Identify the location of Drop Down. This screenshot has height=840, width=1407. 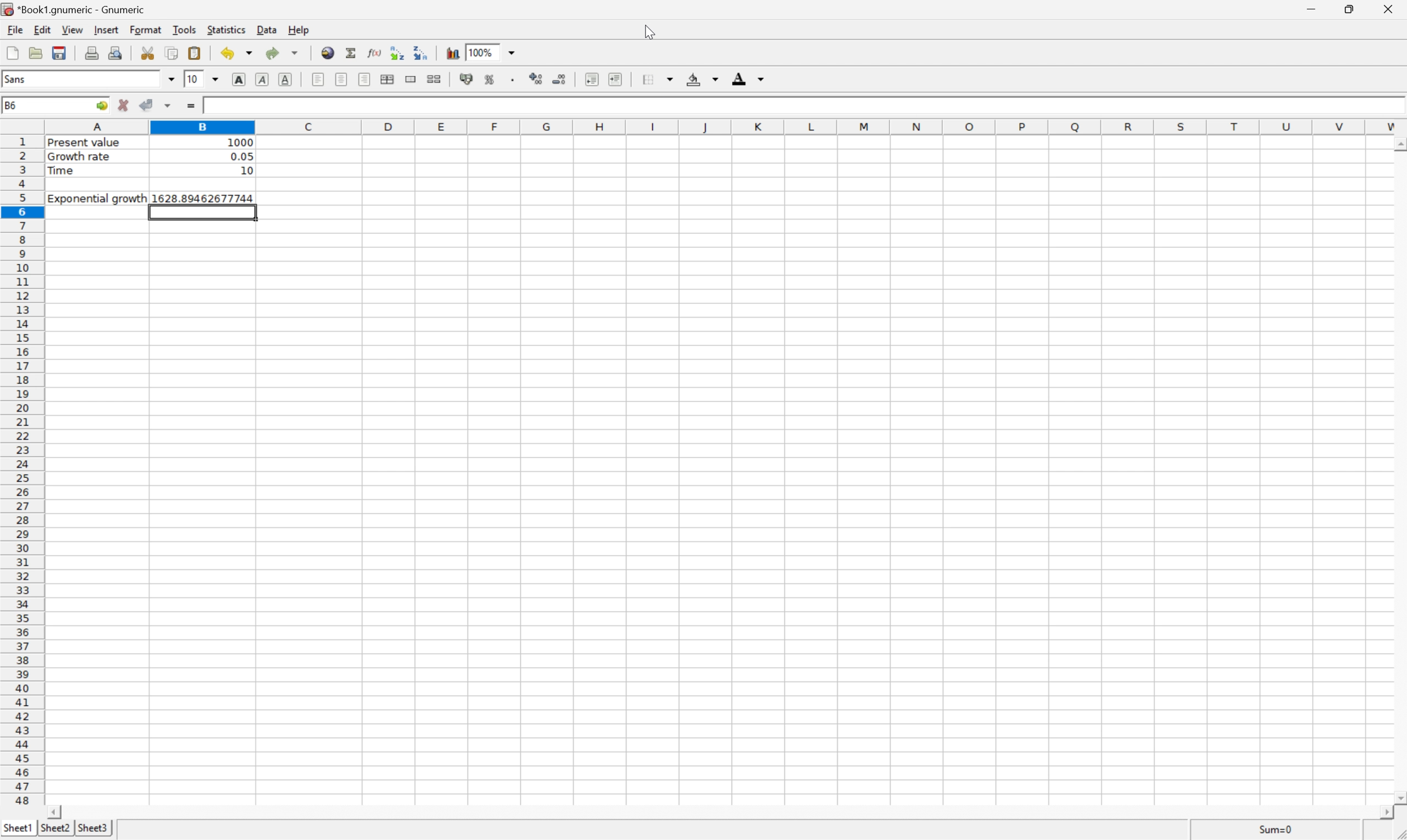
(216, 80).